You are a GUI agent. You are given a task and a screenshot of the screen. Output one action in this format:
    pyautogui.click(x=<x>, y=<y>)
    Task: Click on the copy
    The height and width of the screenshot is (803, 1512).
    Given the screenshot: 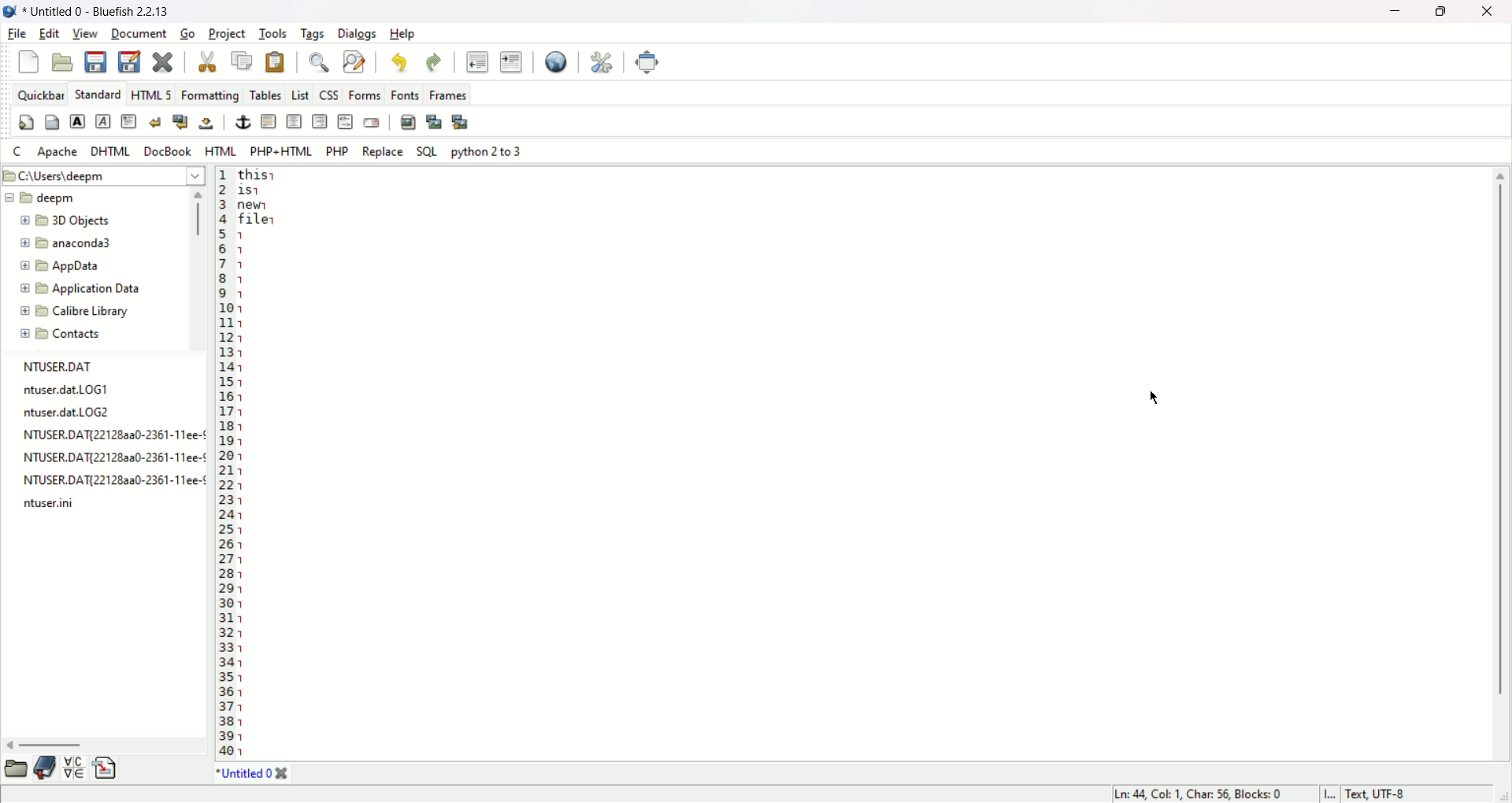 What is the action you would take?
    pyautogui.click(x=244, y=61)
    